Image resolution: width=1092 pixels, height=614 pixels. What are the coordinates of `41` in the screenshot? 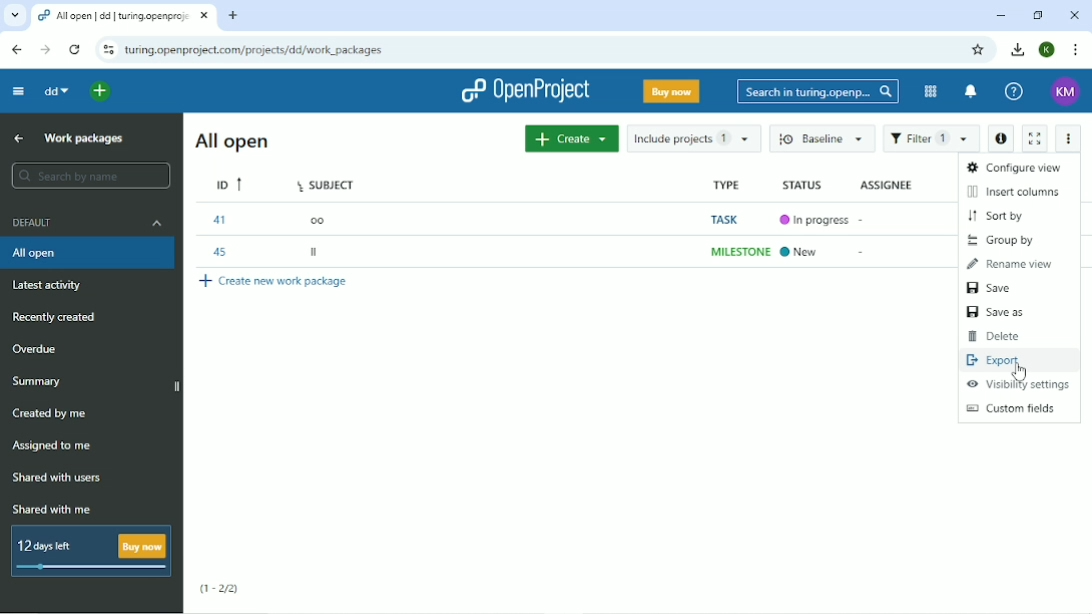 It's located at (218, 219).